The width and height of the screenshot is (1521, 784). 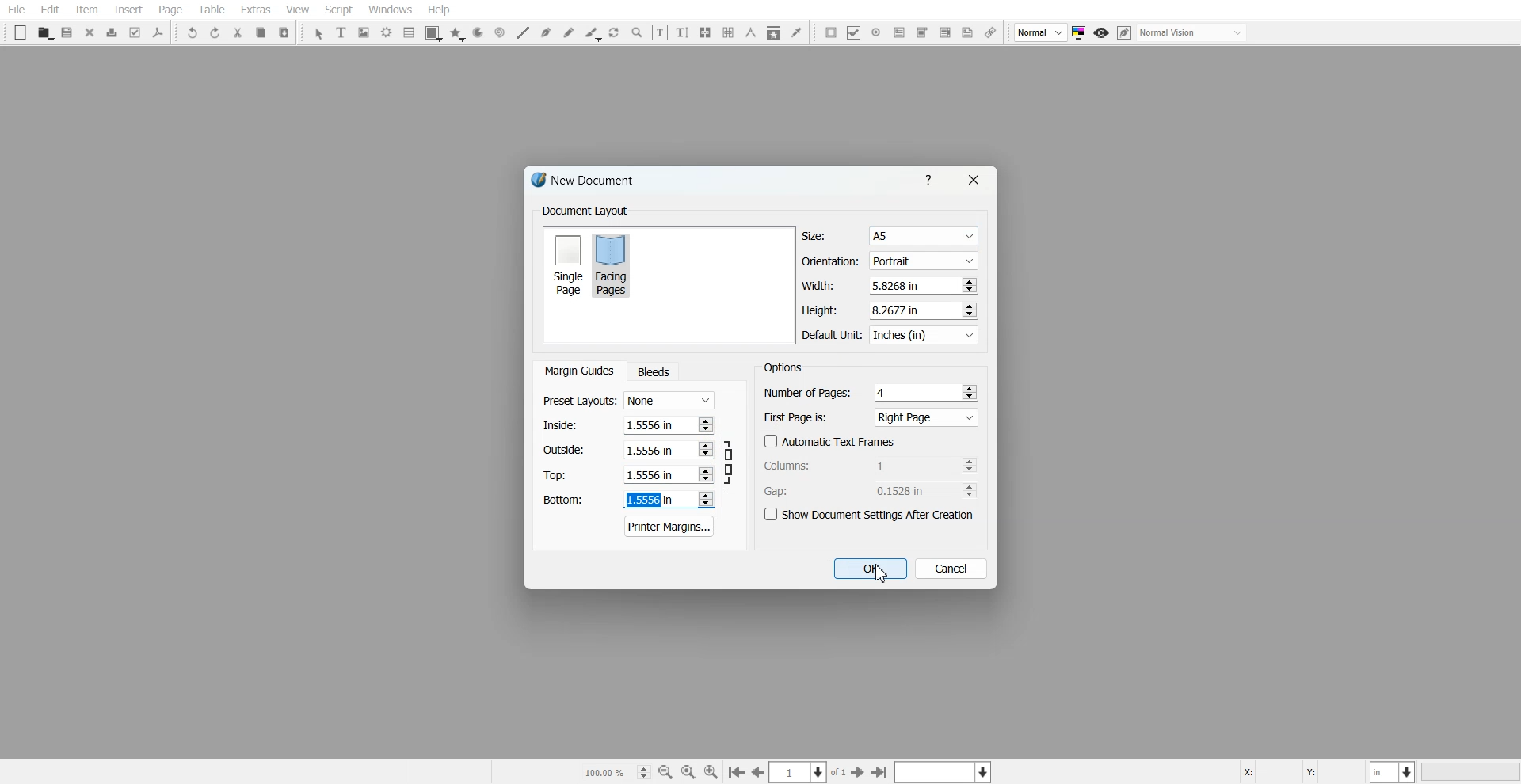 I want to click on Preview mode, so click(x=1102, y=33).